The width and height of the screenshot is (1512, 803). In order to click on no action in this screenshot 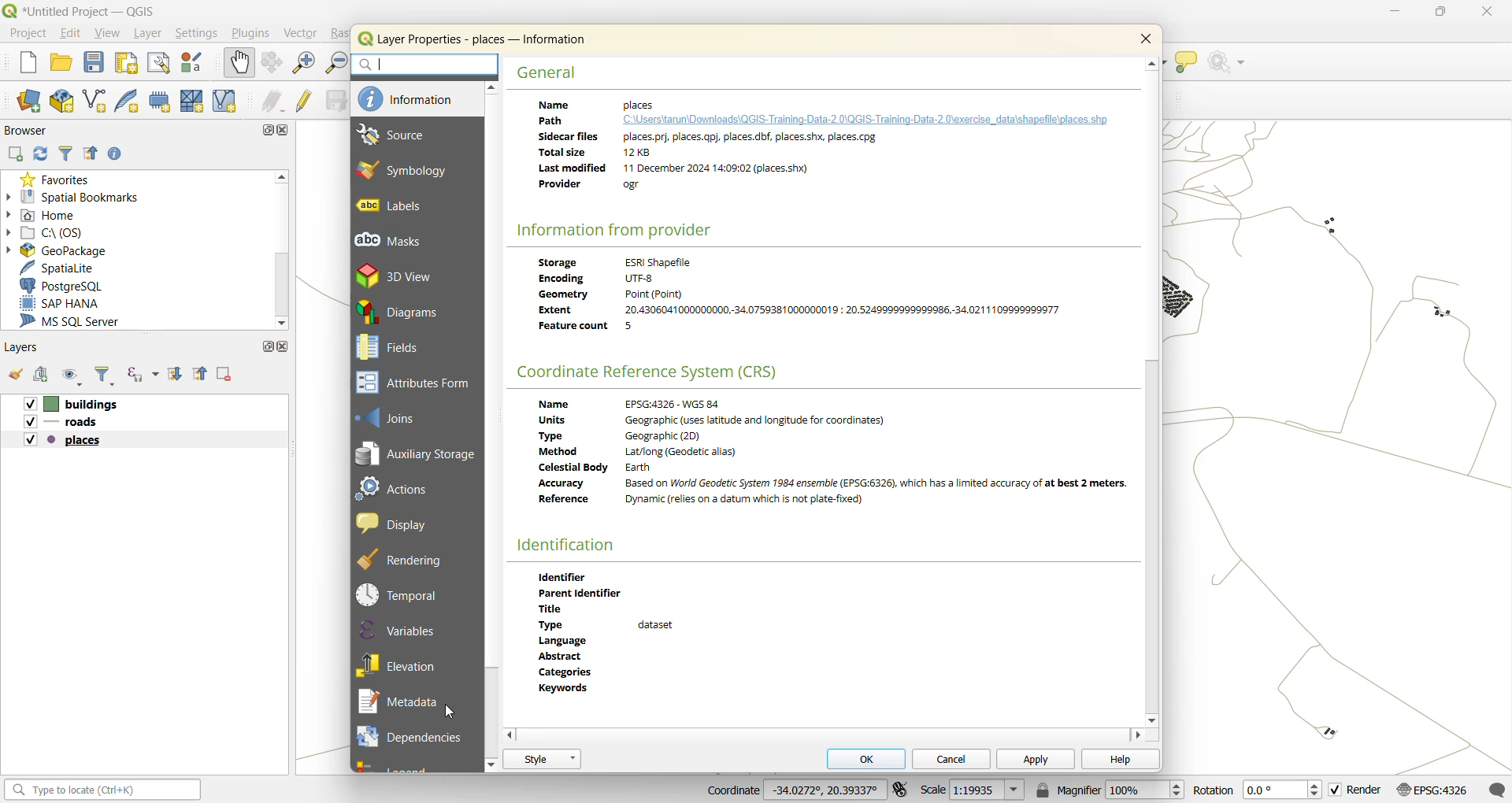, I will do `click(1228, 65)`.